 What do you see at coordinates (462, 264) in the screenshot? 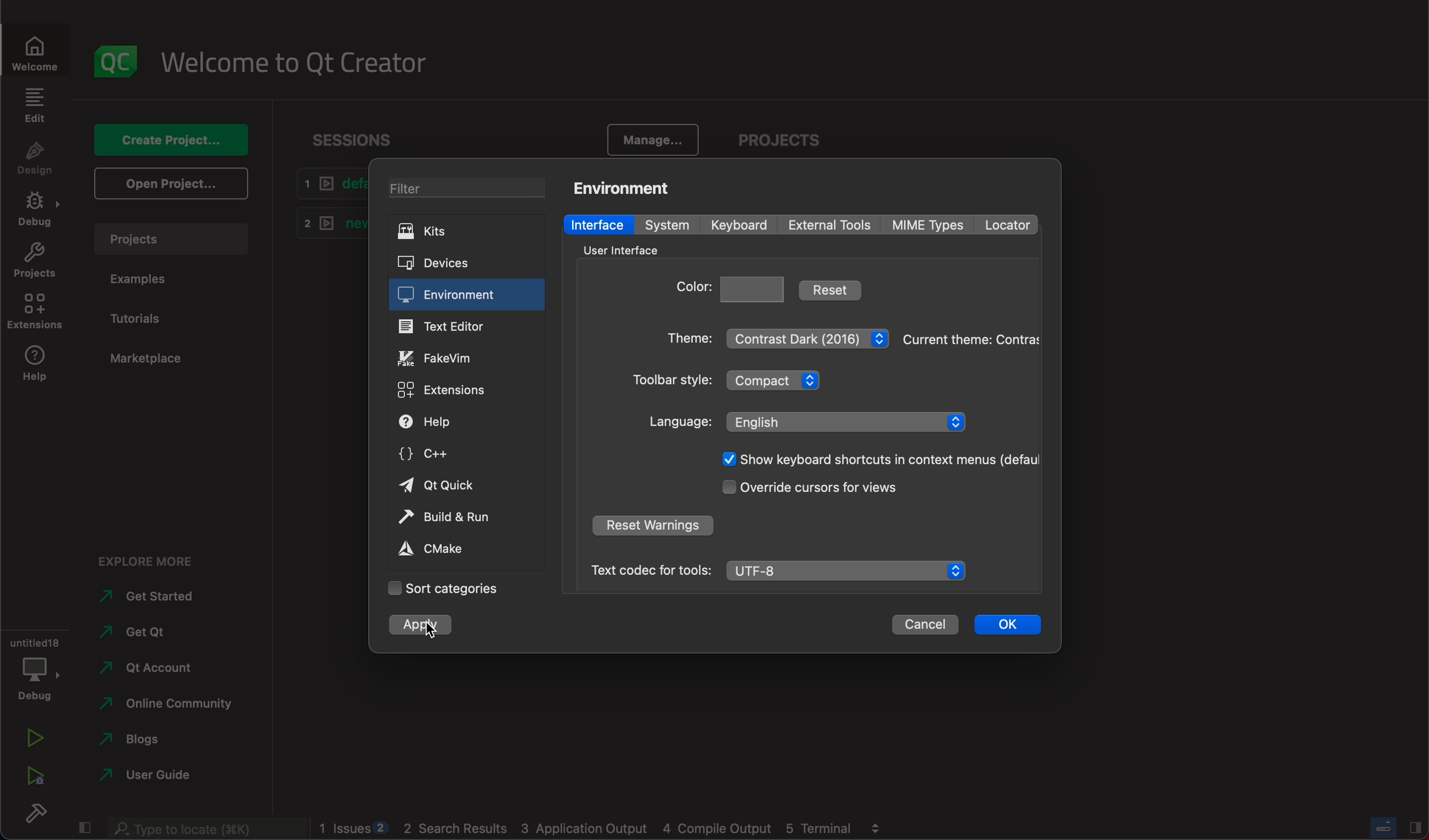
I see `devices` at bounding box center [462, 264].